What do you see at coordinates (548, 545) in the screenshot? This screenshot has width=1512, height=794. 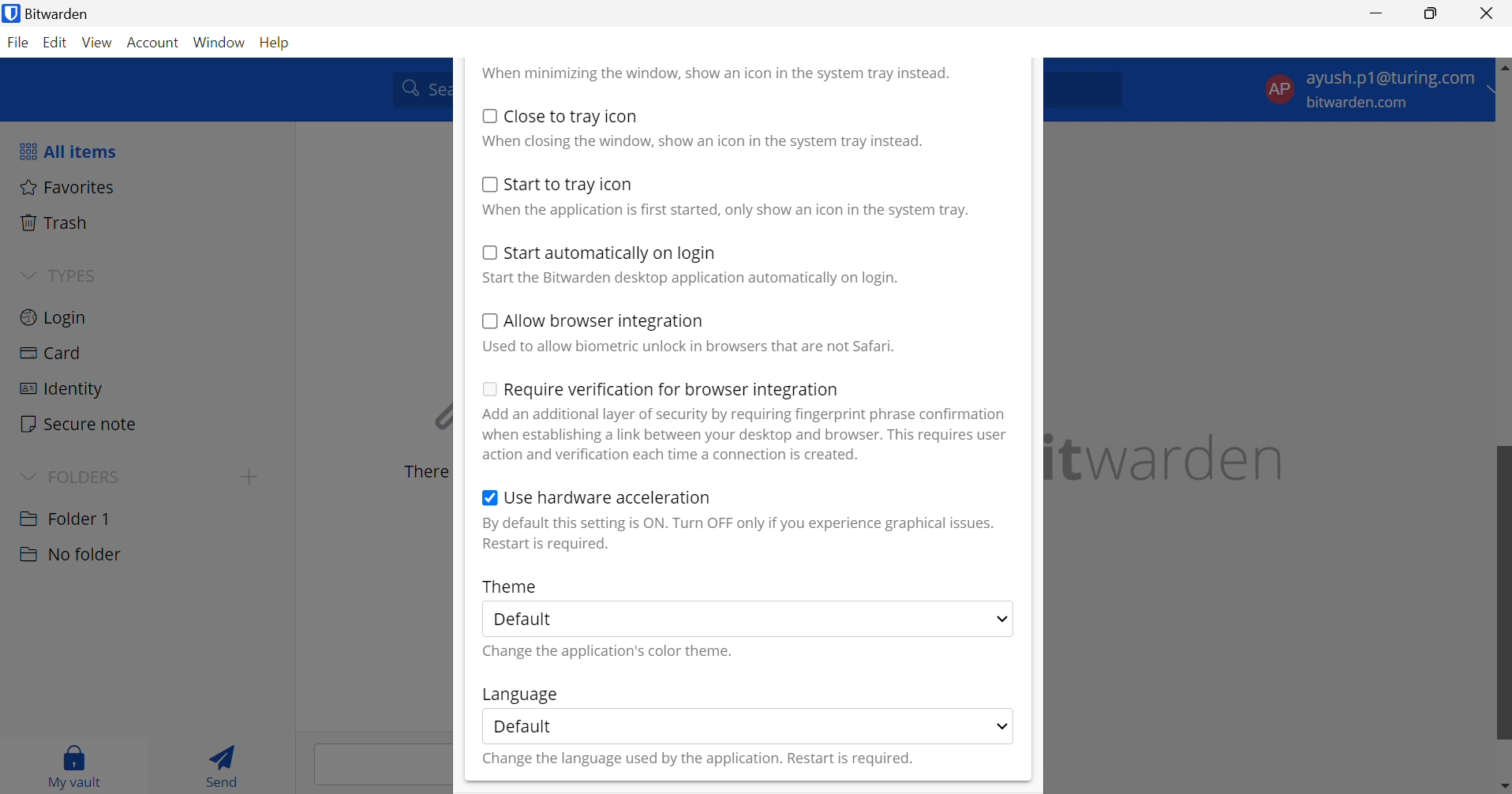 I see `Restart is required.` at bounding box center [548, 545].